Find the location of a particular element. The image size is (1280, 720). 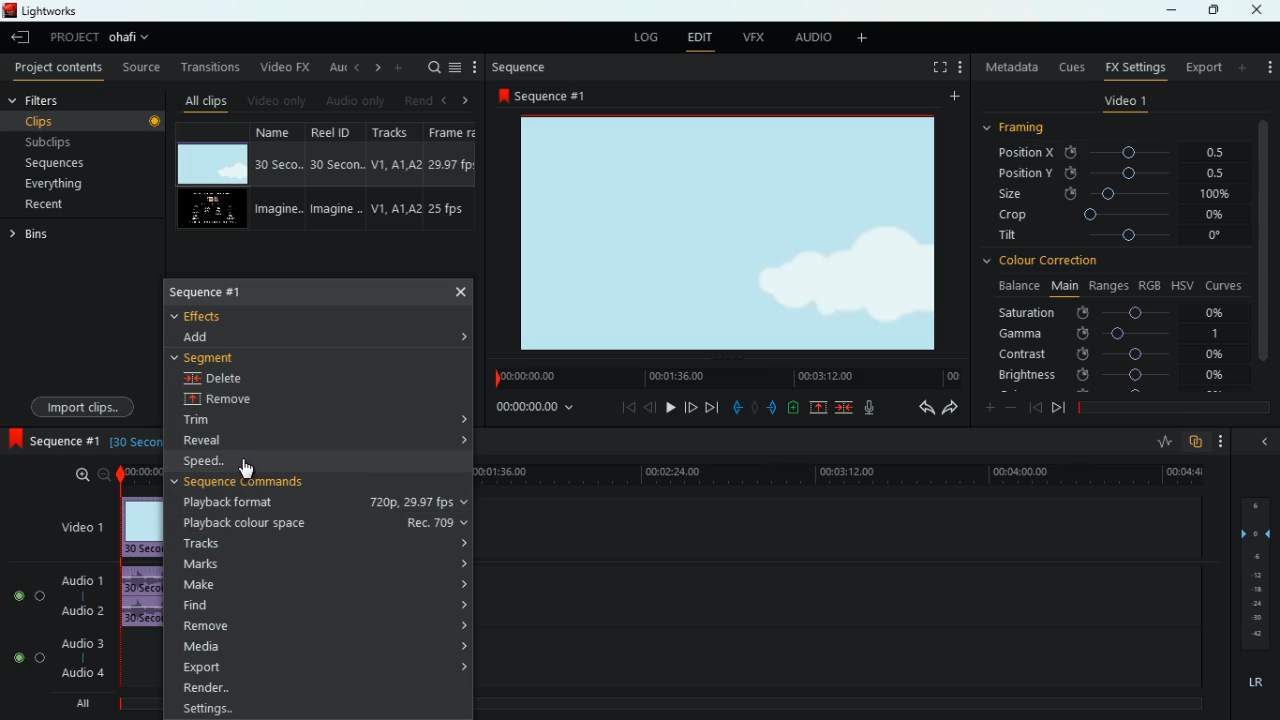

media is located at coordinates (240, 649).